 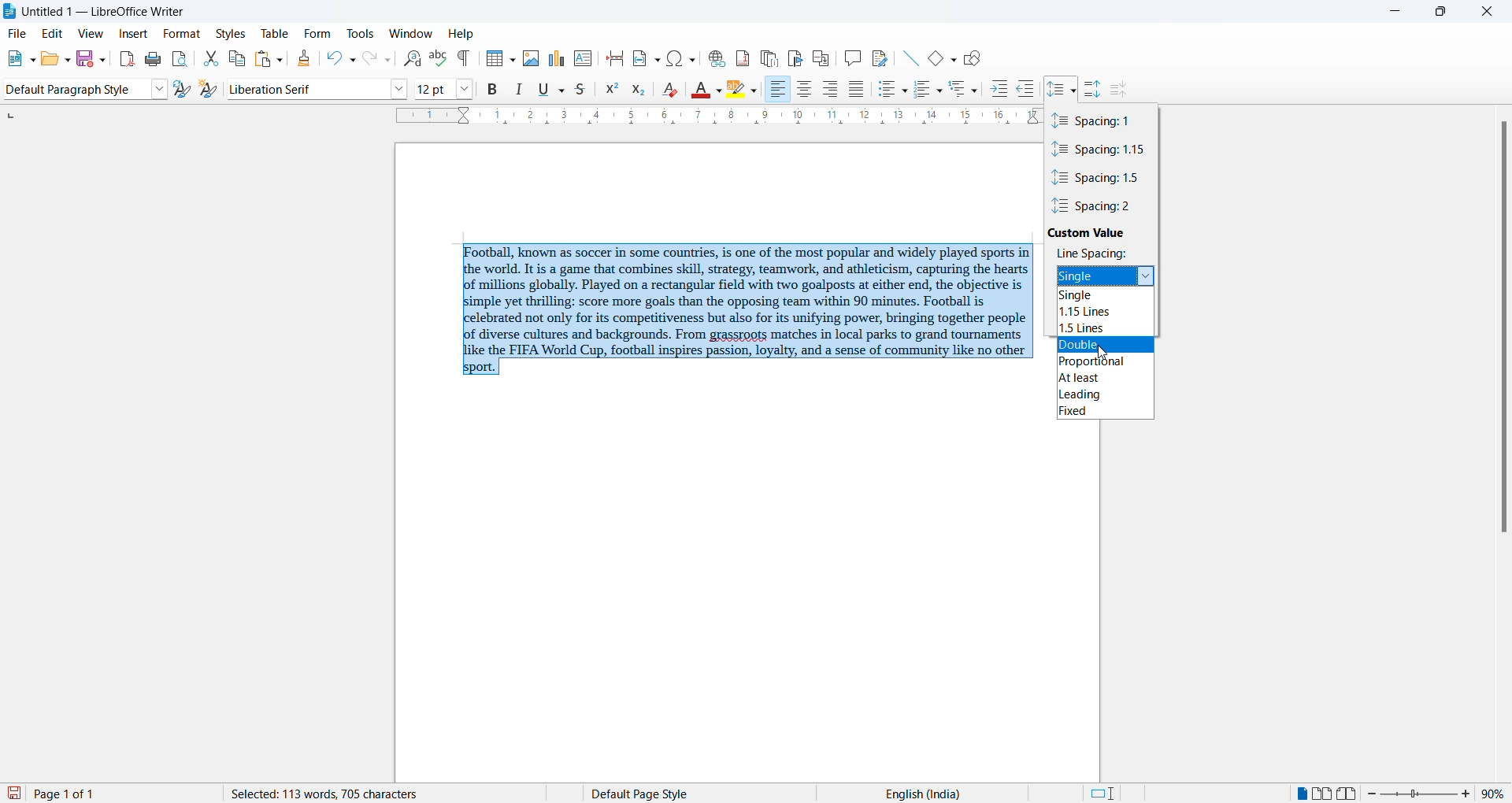 I want to click on scrollbar, so click(x=1503, y=331).